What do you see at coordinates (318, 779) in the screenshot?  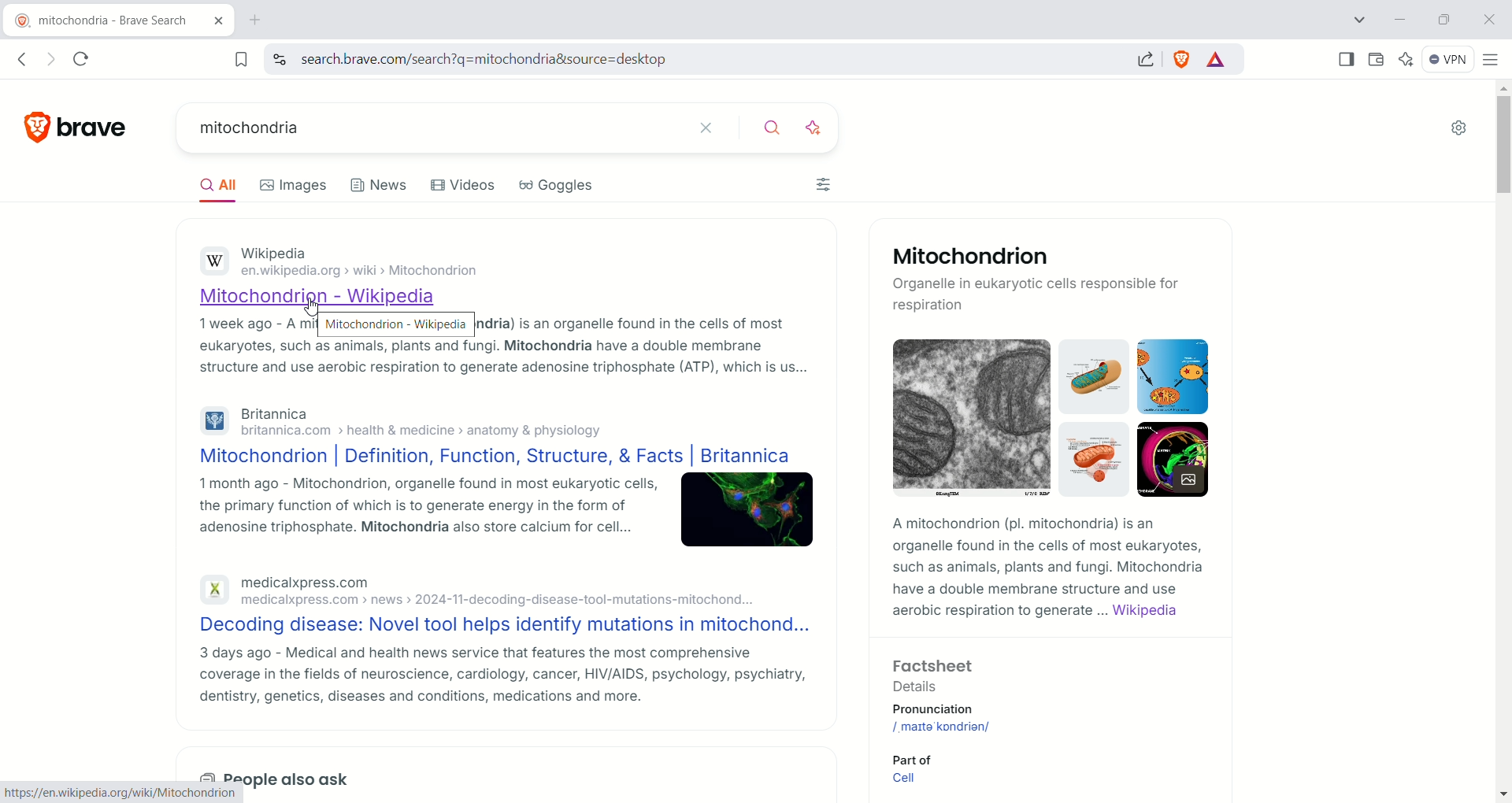 I see `also ask` at bounding box center [318, 779].